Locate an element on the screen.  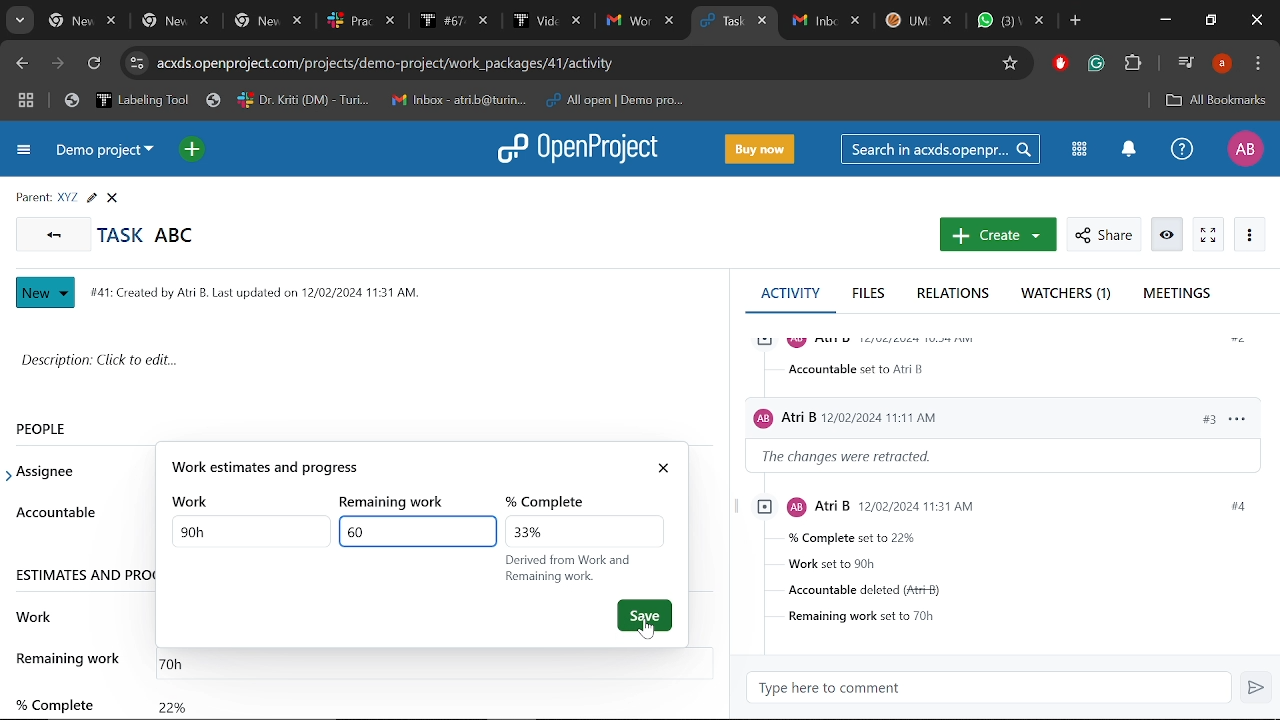
Watchers  is located at coordinates (1069, 295).